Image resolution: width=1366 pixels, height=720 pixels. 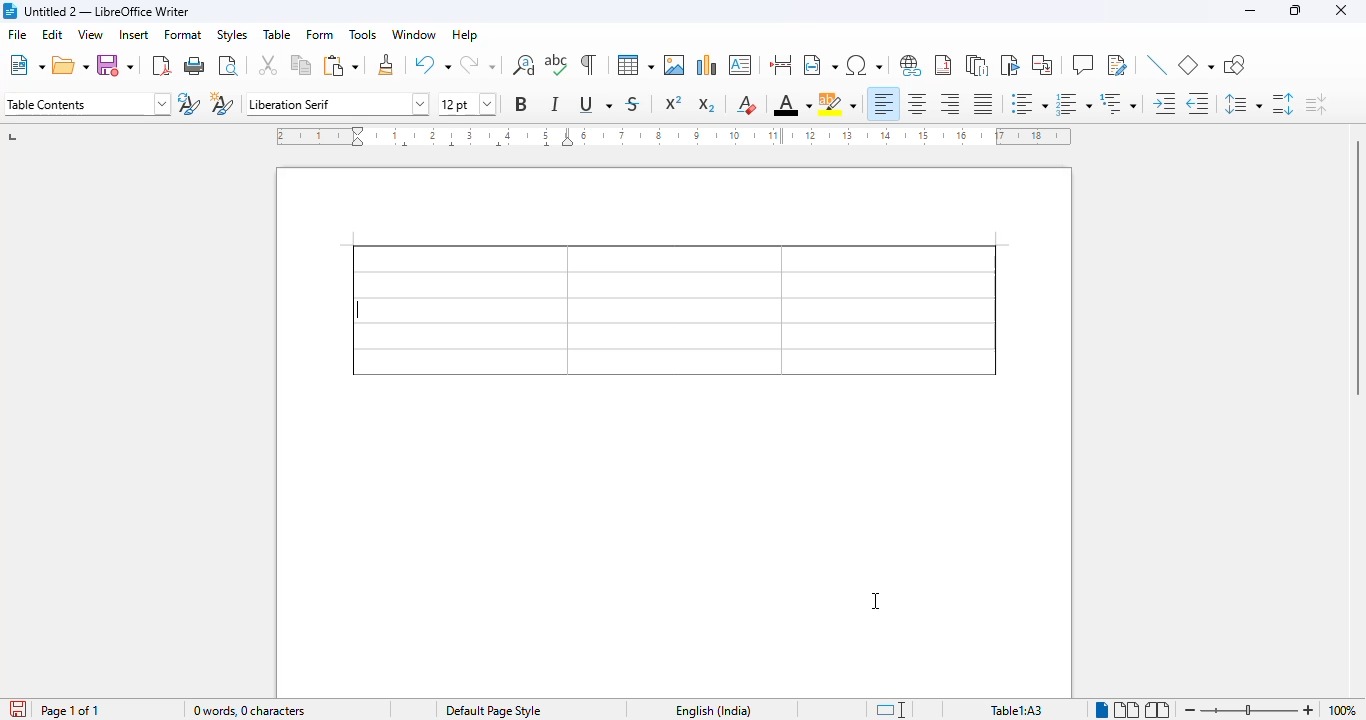 What do you see at coordinates (674, 102) in the screenshot?
I see `superscript` at bounding box center [674, 102].